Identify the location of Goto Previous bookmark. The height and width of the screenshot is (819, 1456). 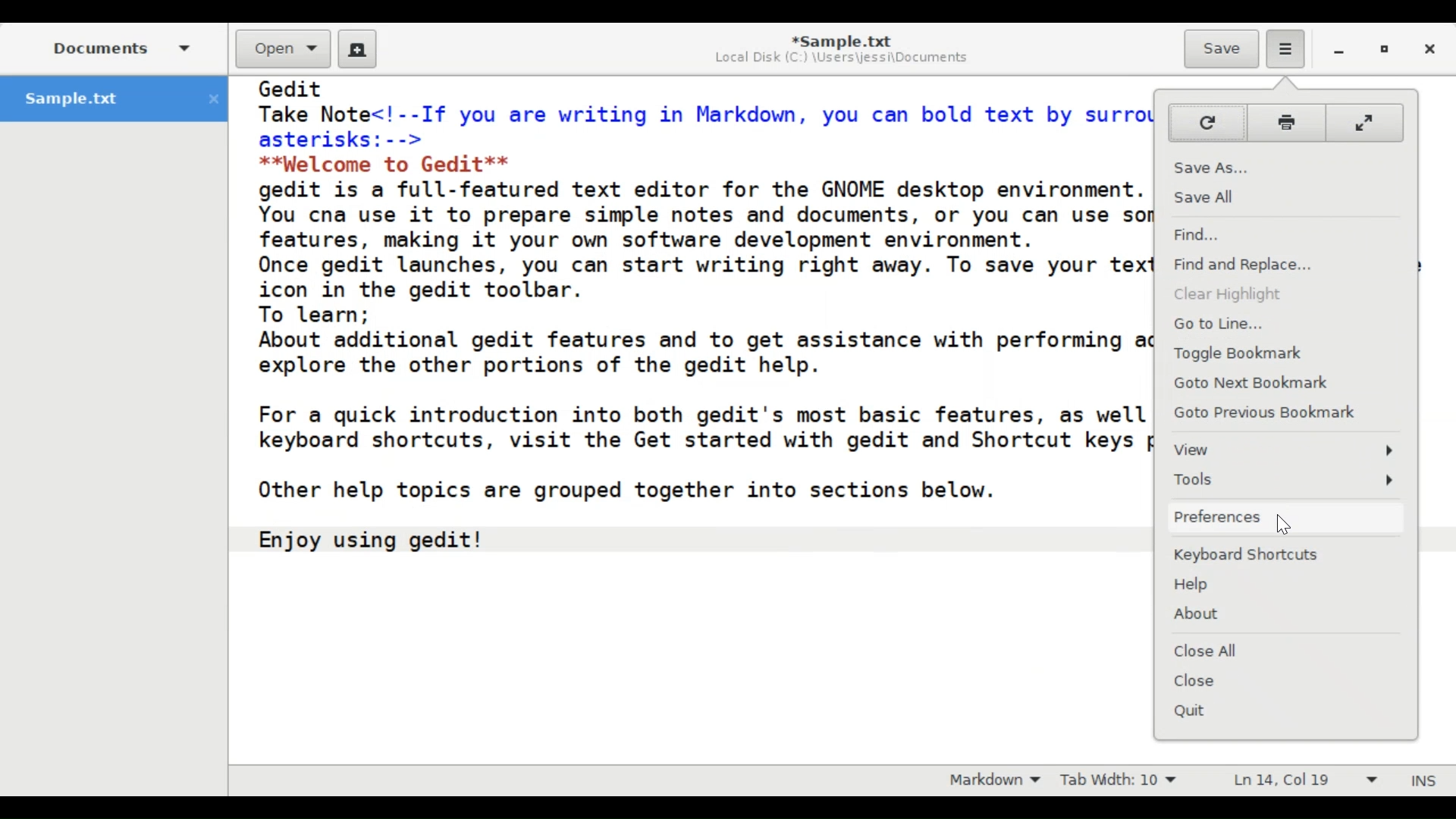
(1287, 412).